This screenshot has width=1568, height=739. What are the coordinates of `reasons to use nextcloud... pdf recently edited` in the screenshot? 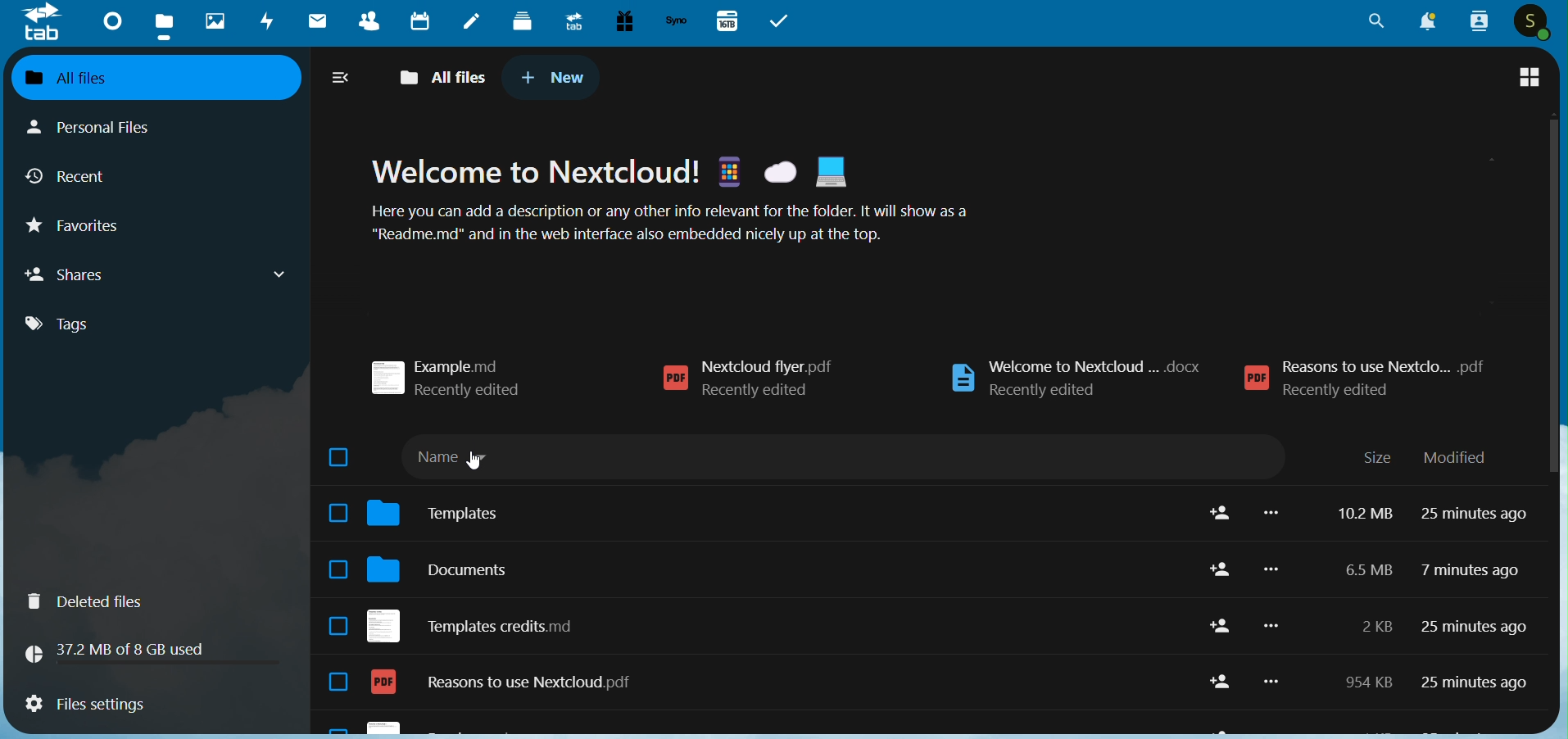 It's located at (1380, 371).